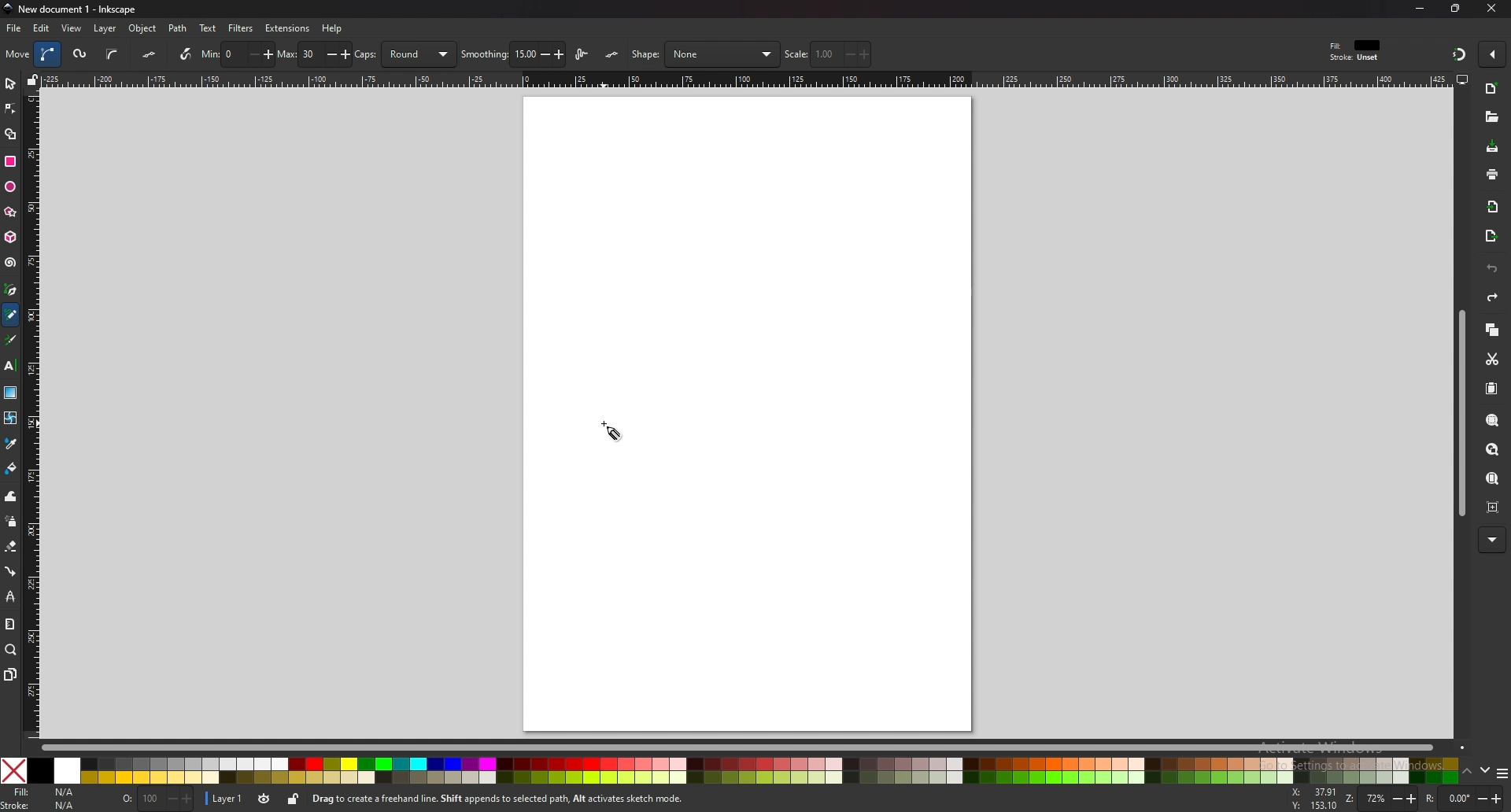  I want to click on object, so click(142, 28).